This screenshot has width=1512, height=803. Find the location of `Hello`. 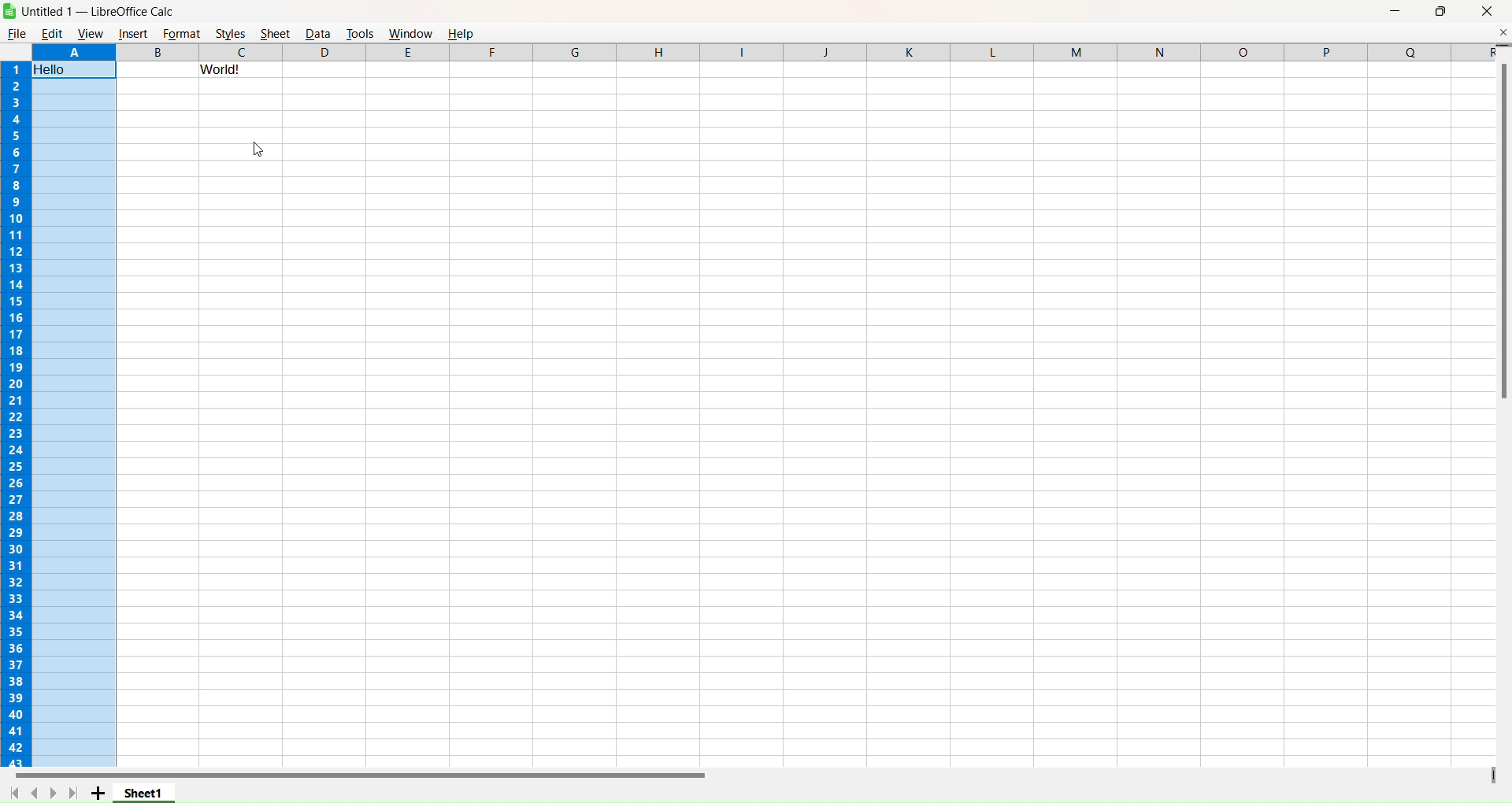

Hello is located at coordinates (51, 69).